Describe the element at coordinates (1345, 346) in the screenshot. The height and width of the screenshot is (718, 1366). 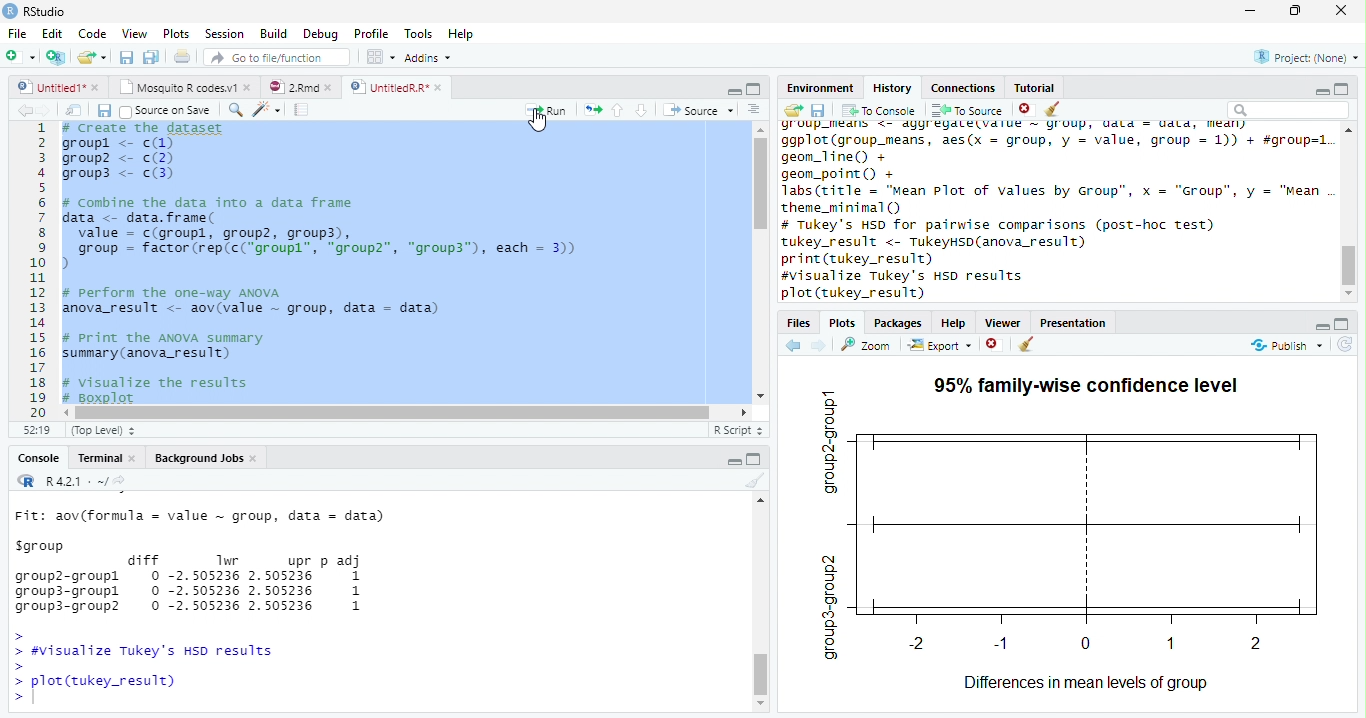
I see `Revert changes ` at that location.